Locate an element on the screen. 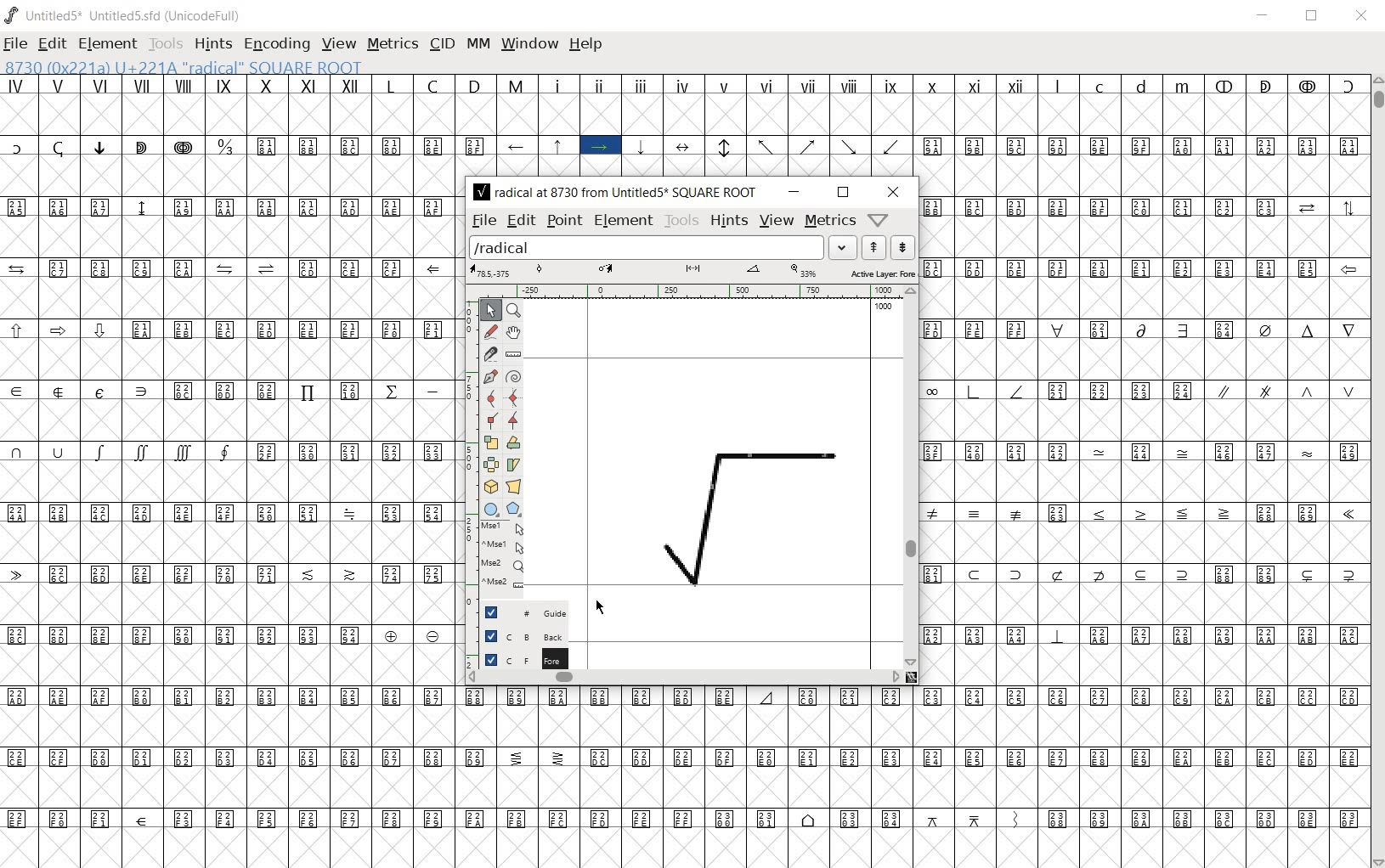  MINIMIZE is located at coordinates (1263, 16).